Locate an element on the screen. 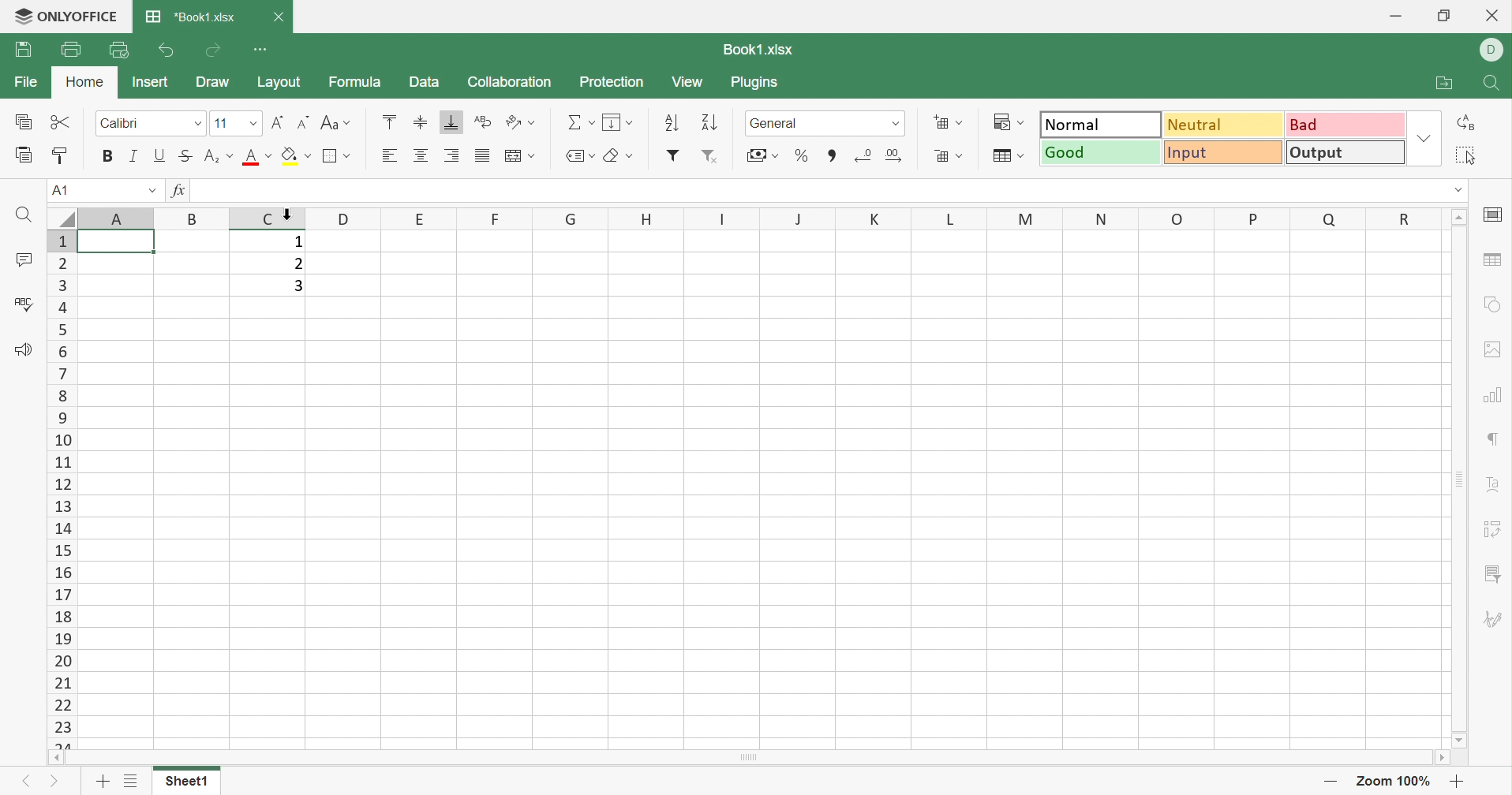  File is located at coordinates (27, 80).